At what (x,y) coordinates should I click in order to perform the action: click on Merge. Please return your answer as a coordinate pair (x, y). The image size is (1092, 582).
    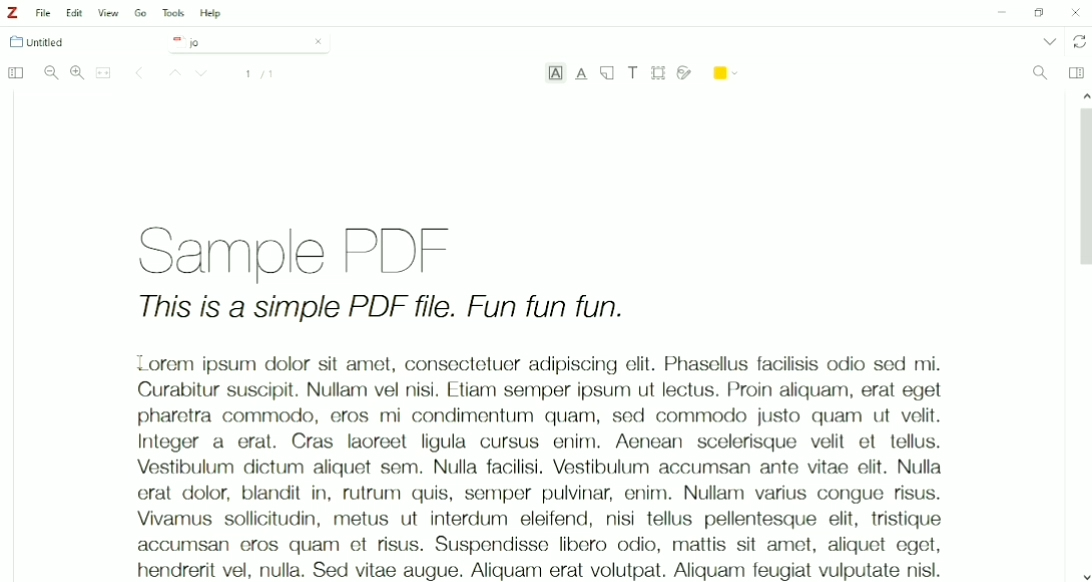
    Looking at the image, I should click on (104, 73).